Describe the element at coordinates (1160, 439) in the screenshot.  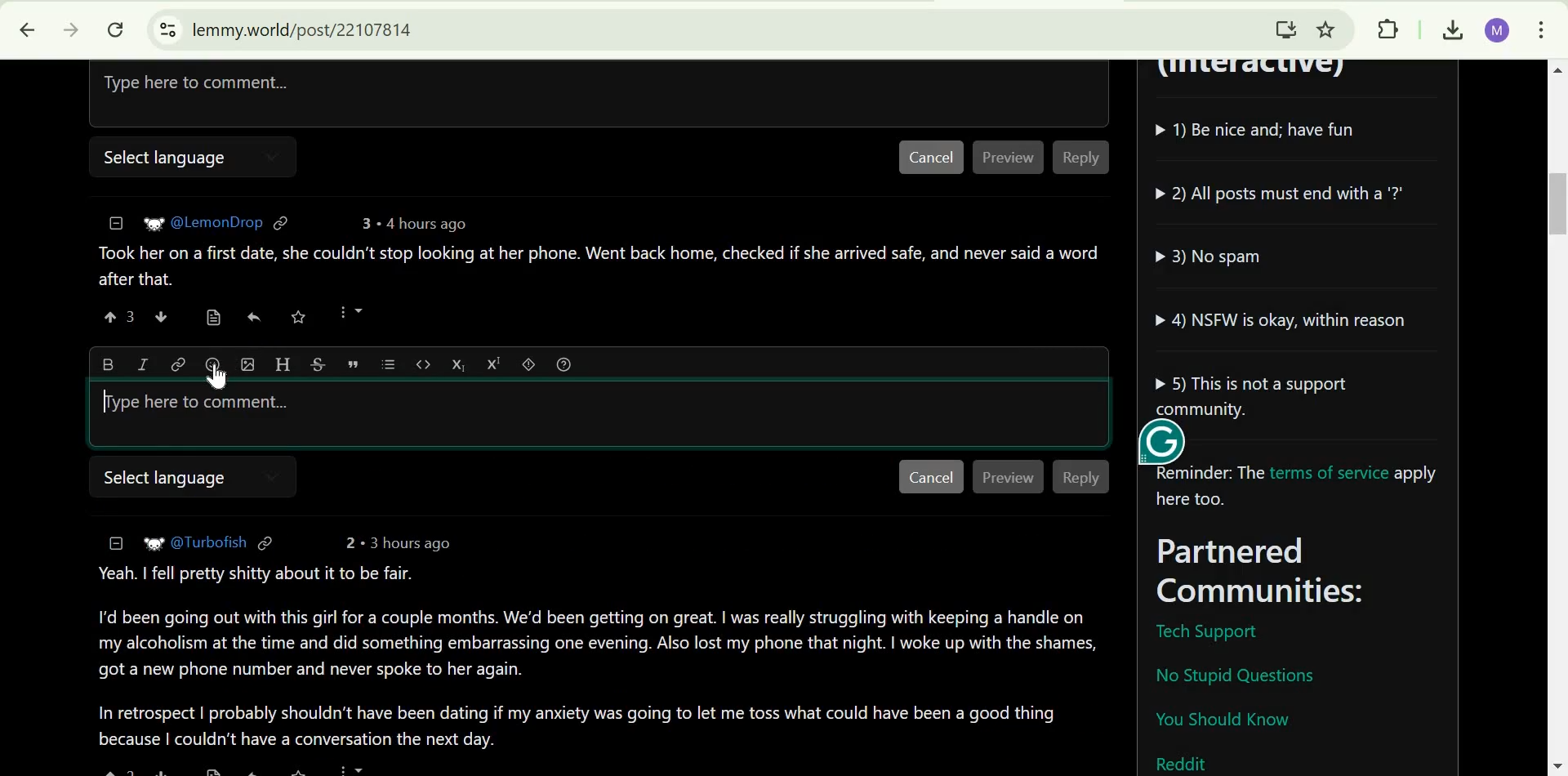
I see `Grammarly` at that location.